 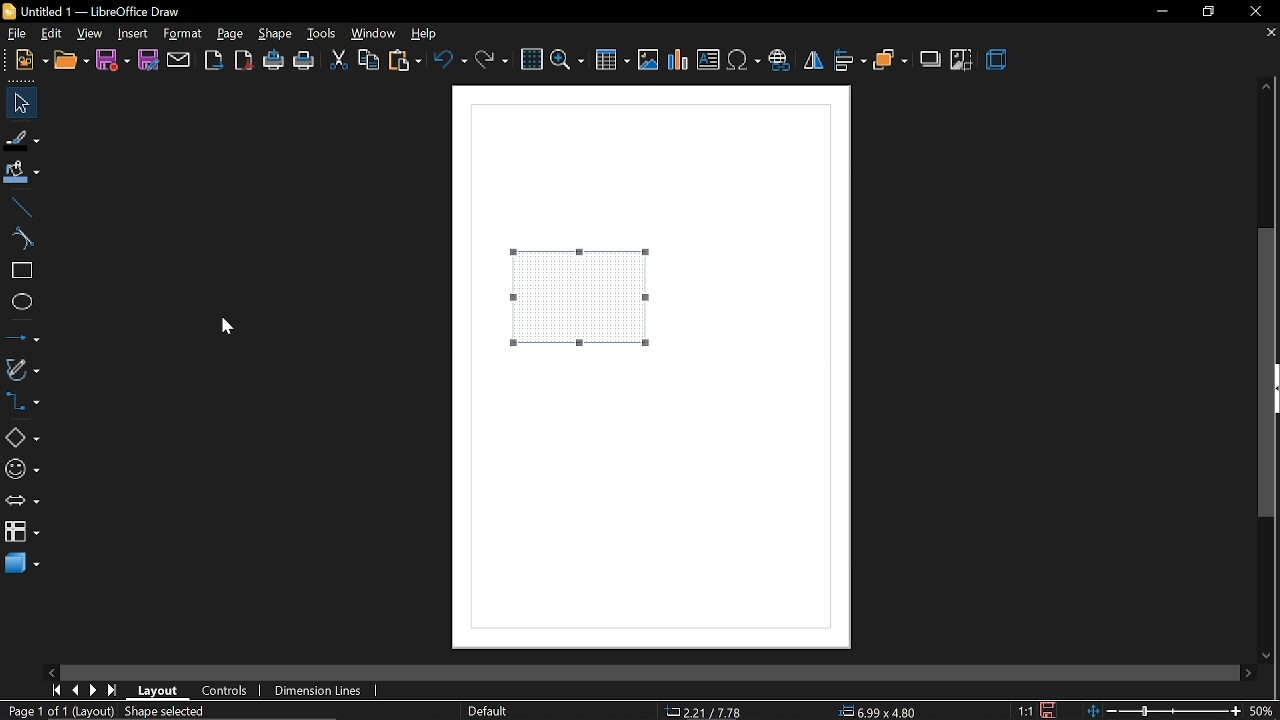 What do you see at coordinates (22, 172) in the screenshot?
I see `fill color` at bounding box center [22, 172].